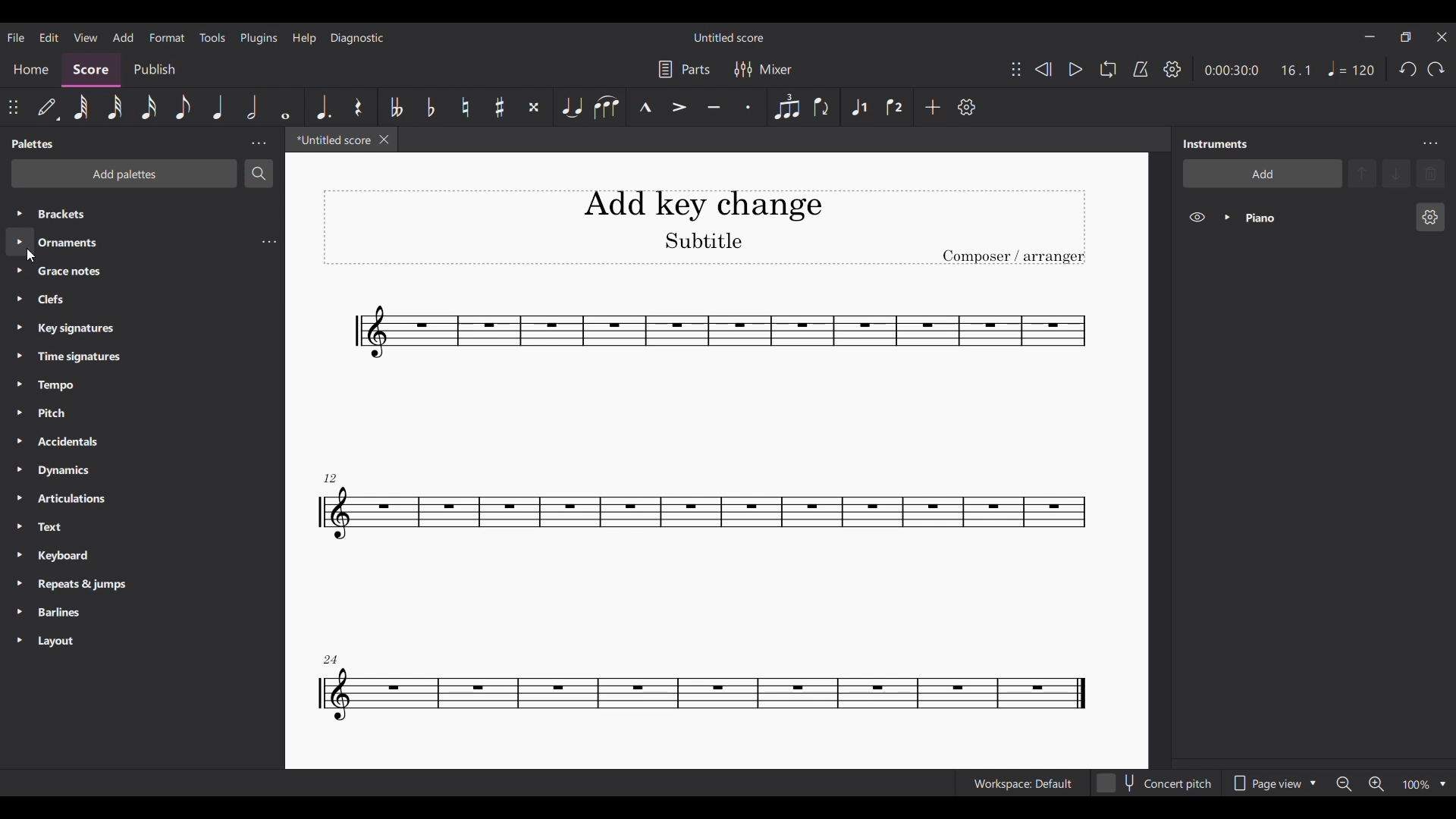  What do you see at coordinates (1043, 69) in the screenshot?
I see `Rewind` at bounding box center [1043, 69].